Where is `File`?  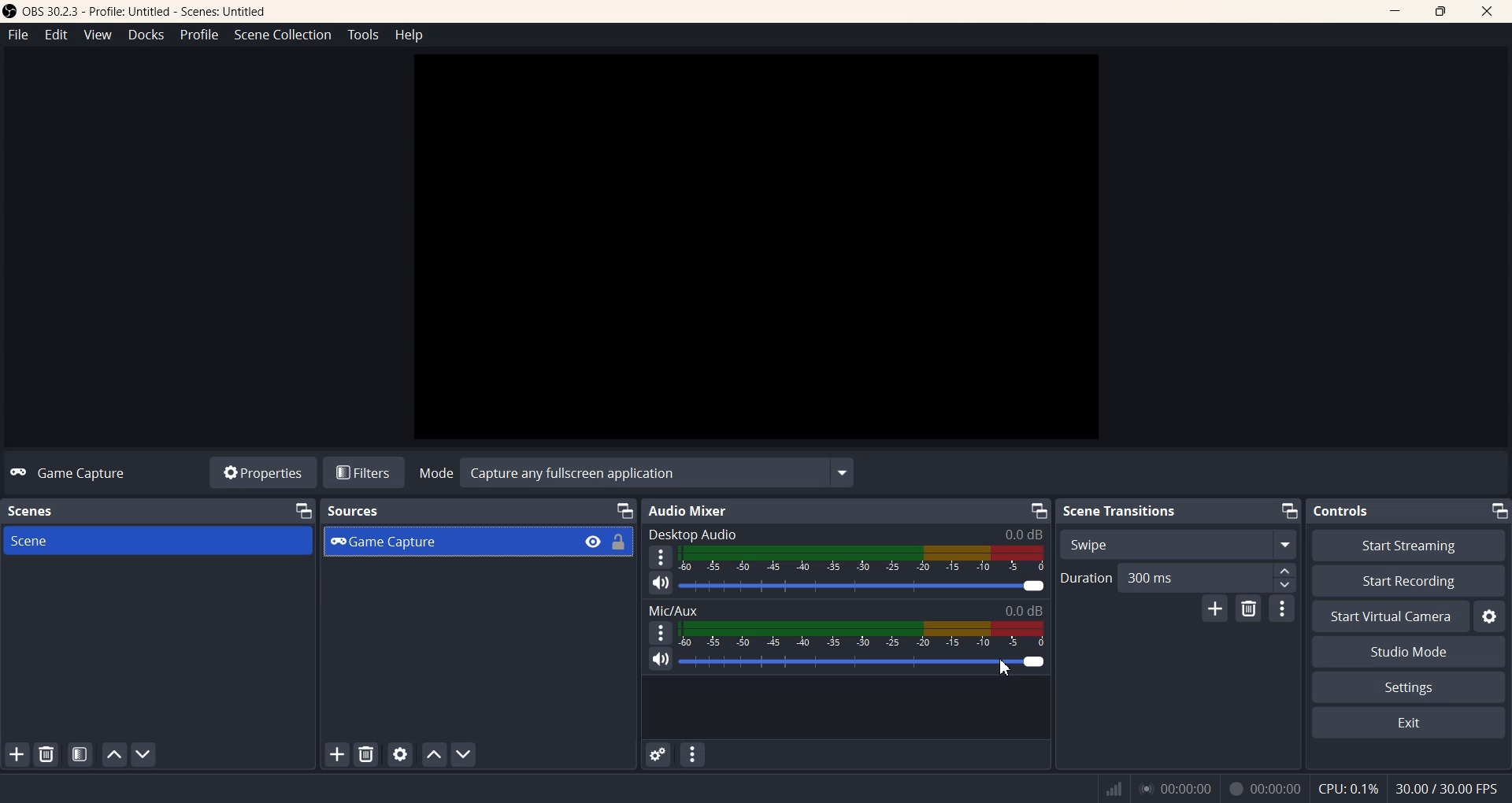
File is located at coordinates (19, 34).